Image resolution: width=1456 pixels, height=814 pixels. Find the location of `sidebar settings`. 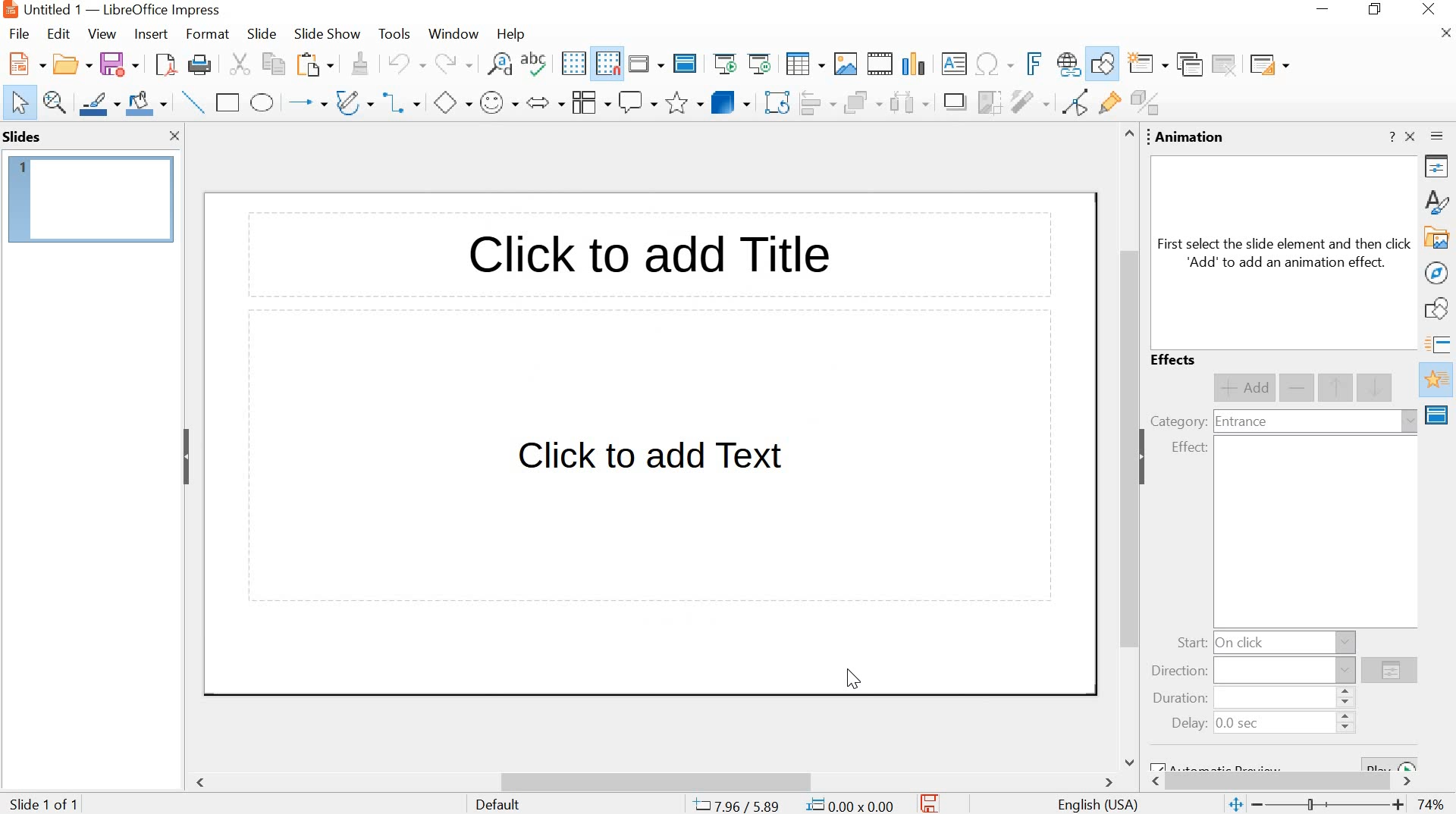

sidebar settings is located at coordinates (1439, 139).